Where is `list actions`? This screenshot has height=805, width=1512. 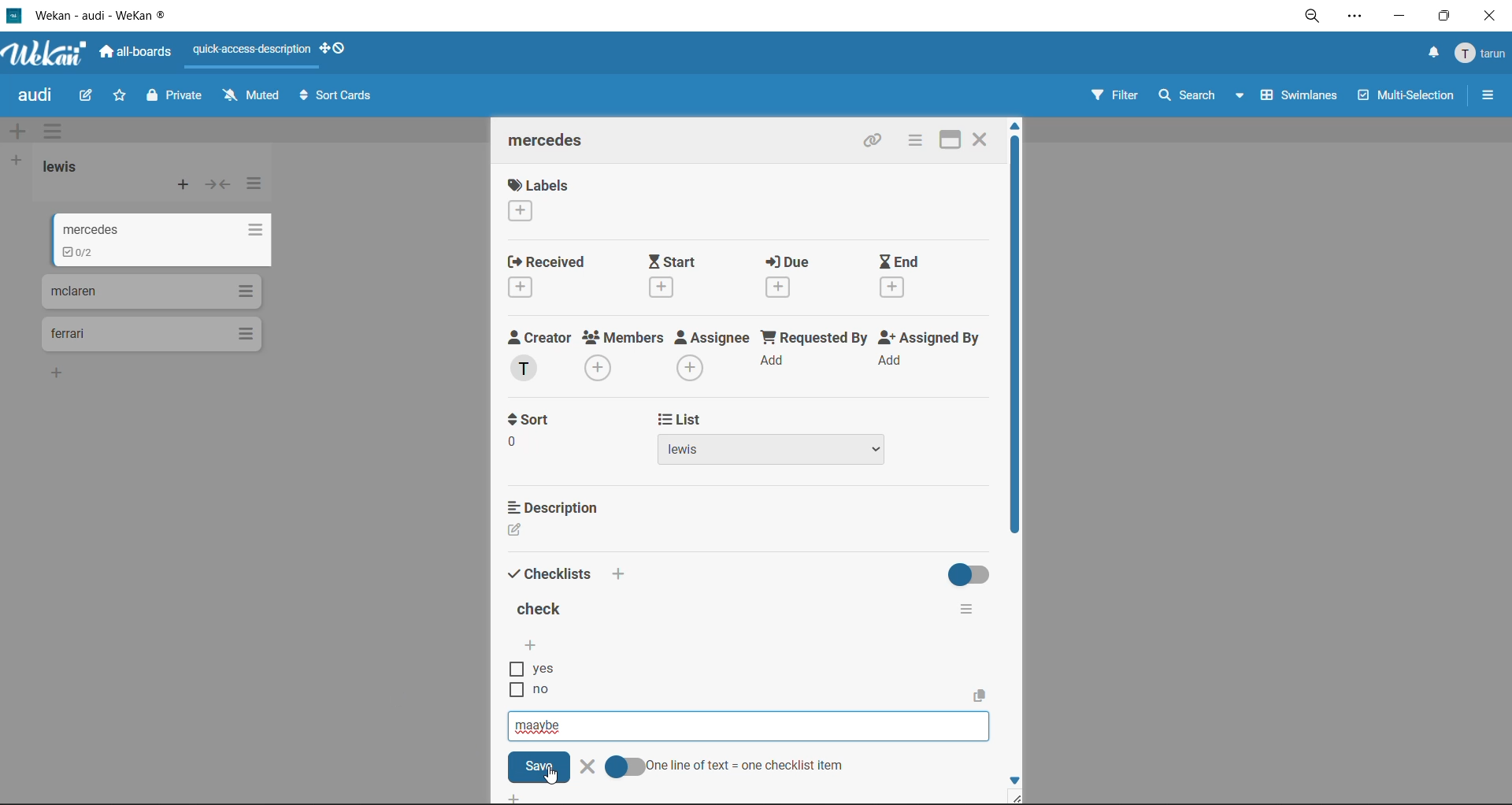
list actions is located at coordinates (246, 230).